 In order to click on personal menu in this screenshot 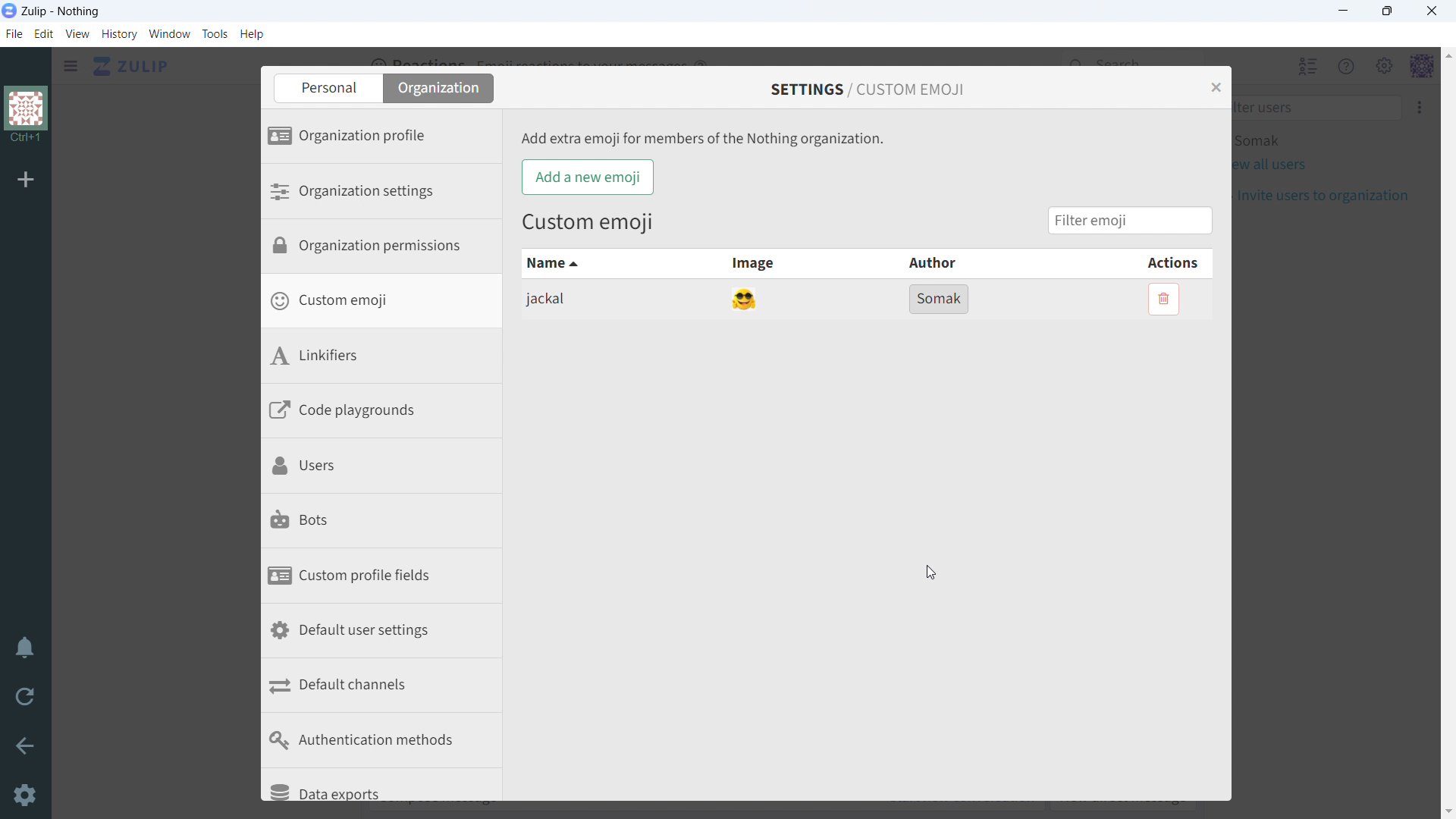, I will do `click(1423, 66)`.